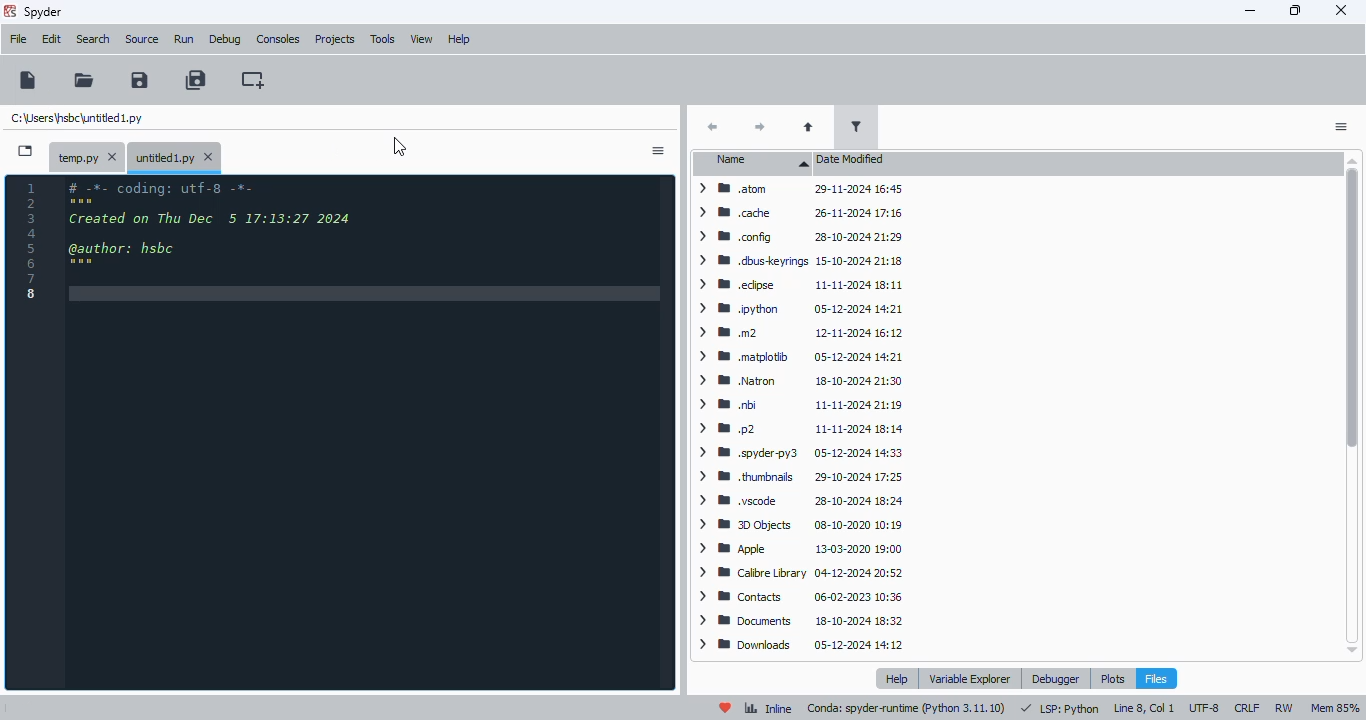 This screenshot has width=1366, height=720. I want to click on parent, so click(809, 127).